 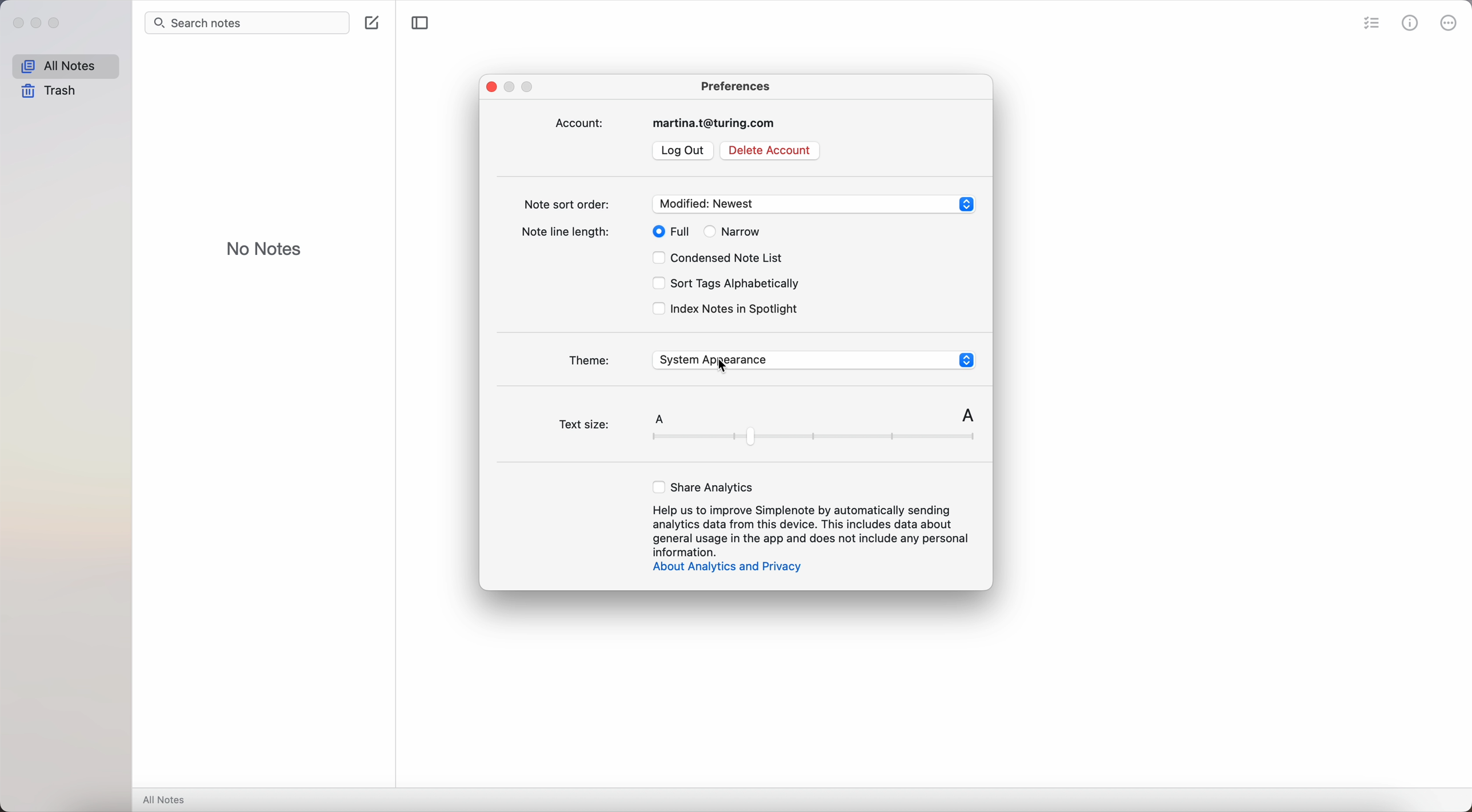 What do you see at coordinates (167, 799) in the screenshot?
I see `all notes` at bounding box center [167, 799].